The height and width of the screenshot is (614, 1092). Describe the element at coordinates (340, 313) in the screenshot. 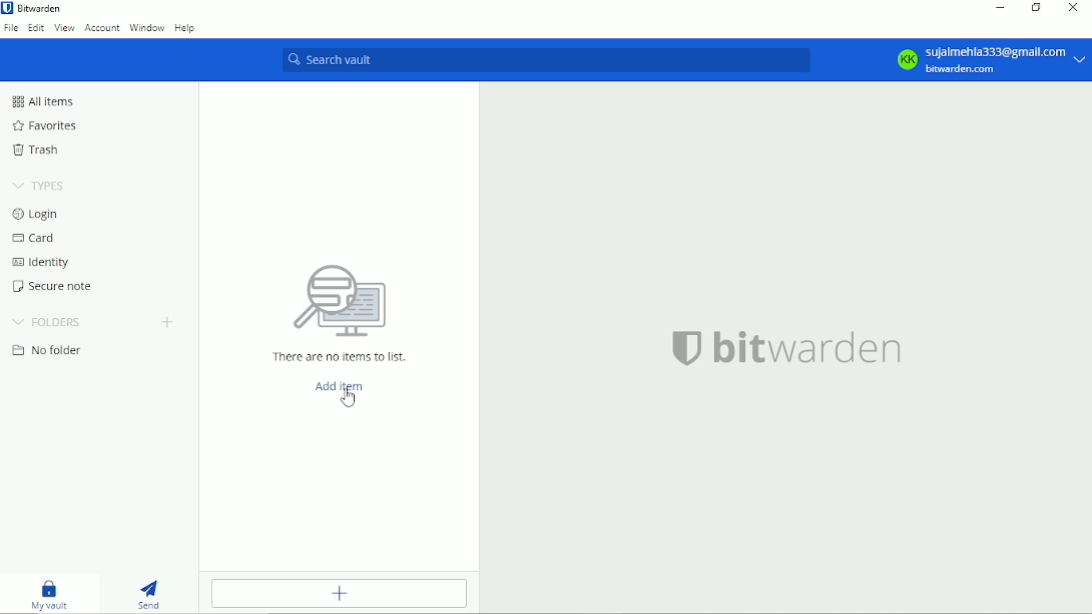

I see `There are no items to list` at that location.